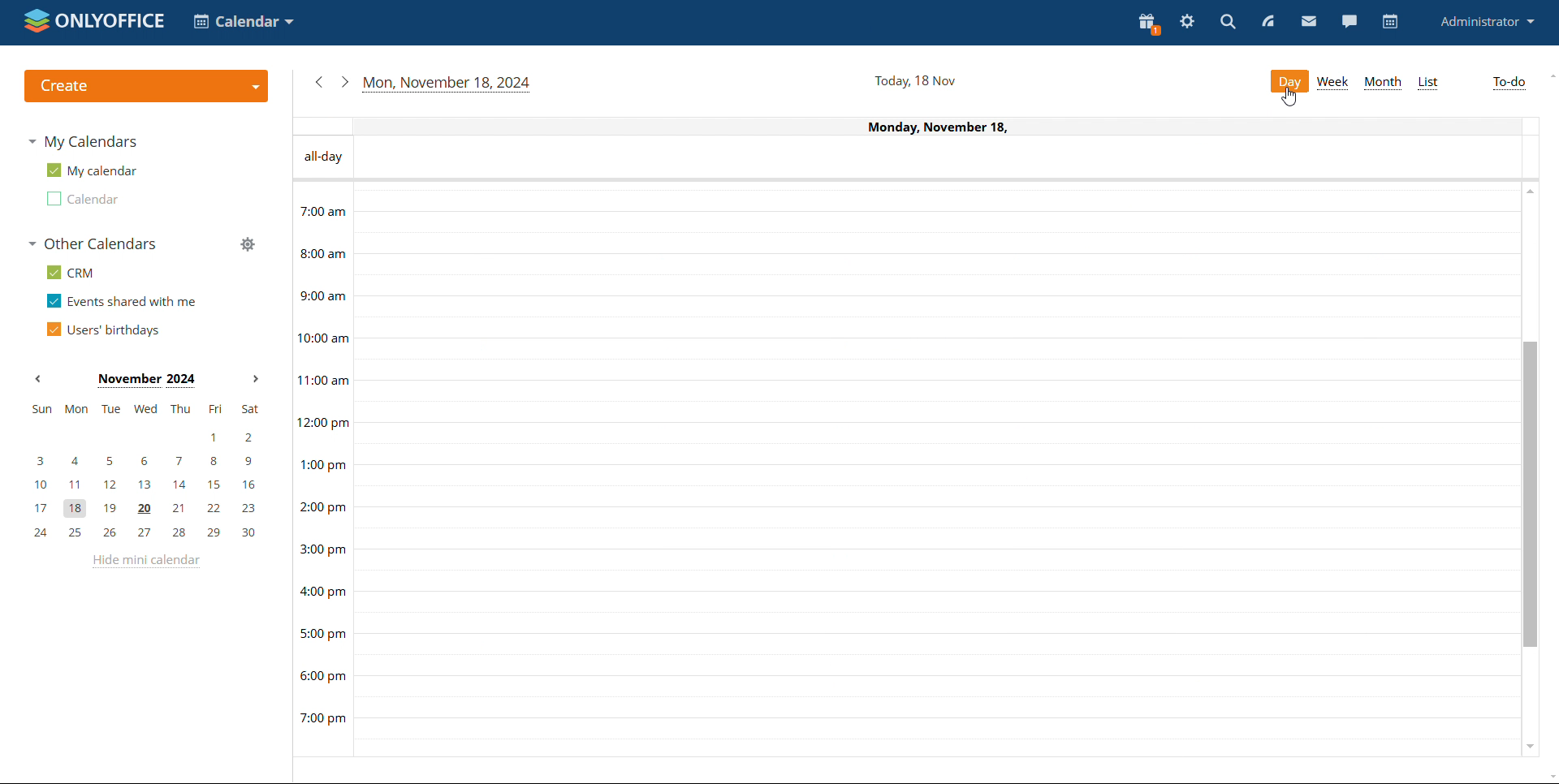 Image resolution: width=1559 pixels, height=784 pixels. Describe the element at coordinates (84, 199) in the screenshot. I see `second calendar` at that location.